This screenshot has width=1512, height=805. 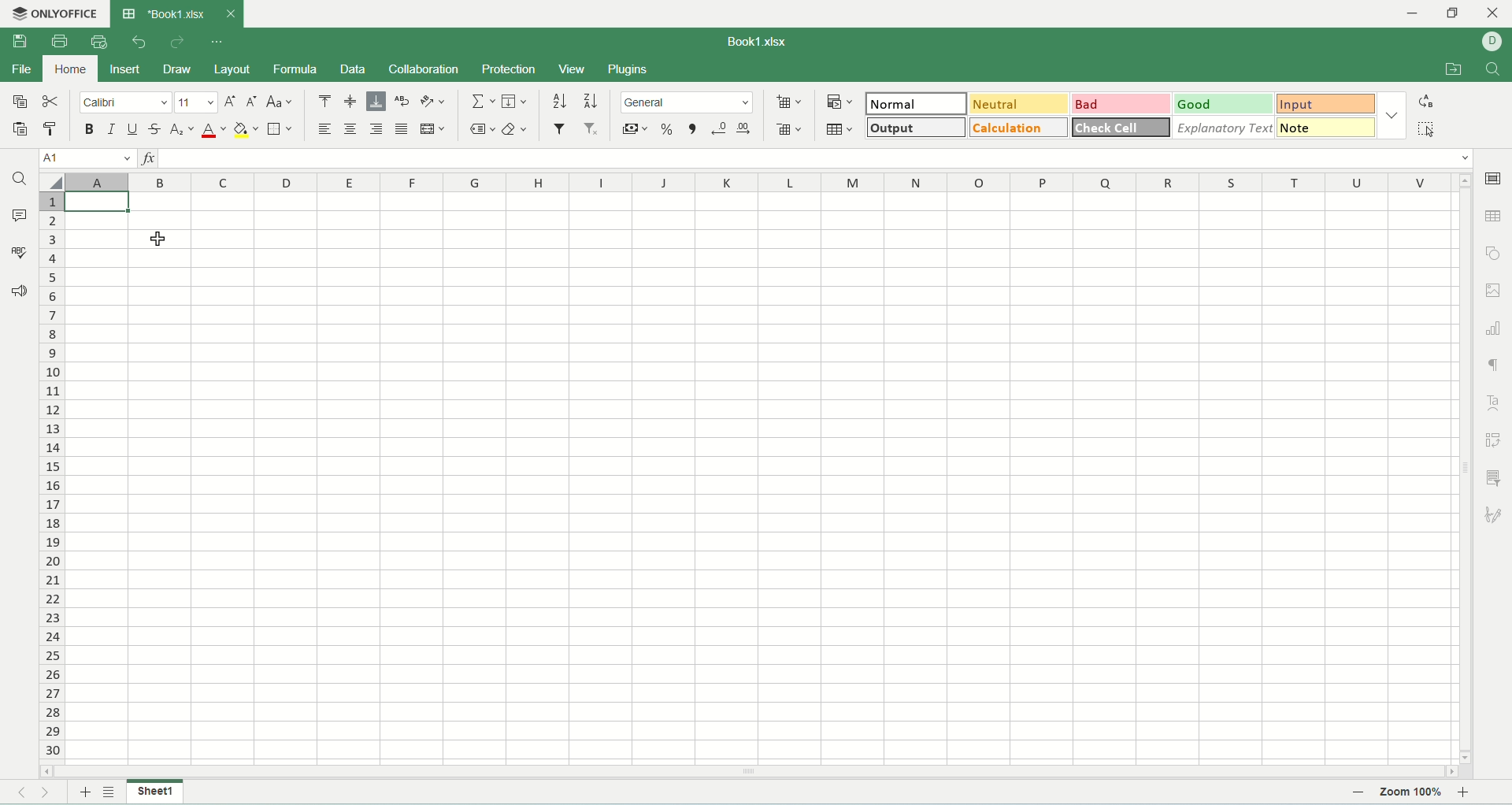 I want to click on comments, so click(x=18, y=213).